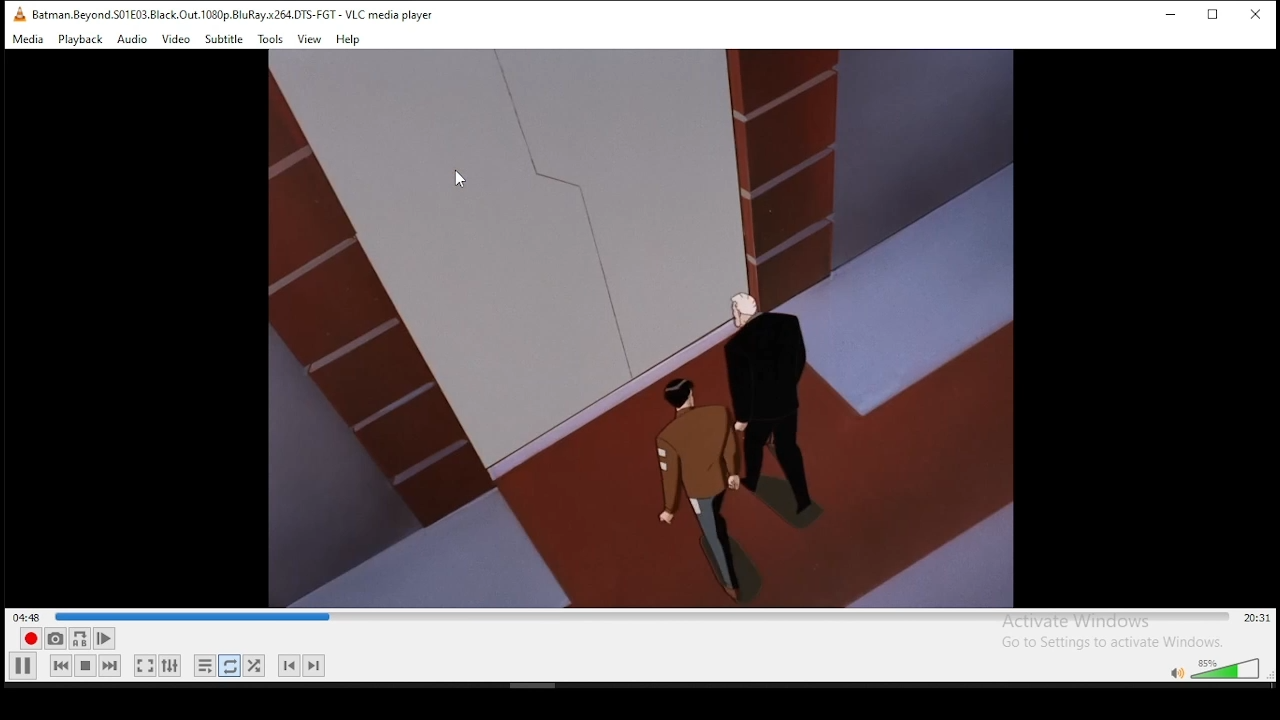 The width and height of the screenshot is (1280, 720). What do you see at coordinates (224, 40) in the screenshot?
I see `Subtitle` at bounding box center [224, 40].